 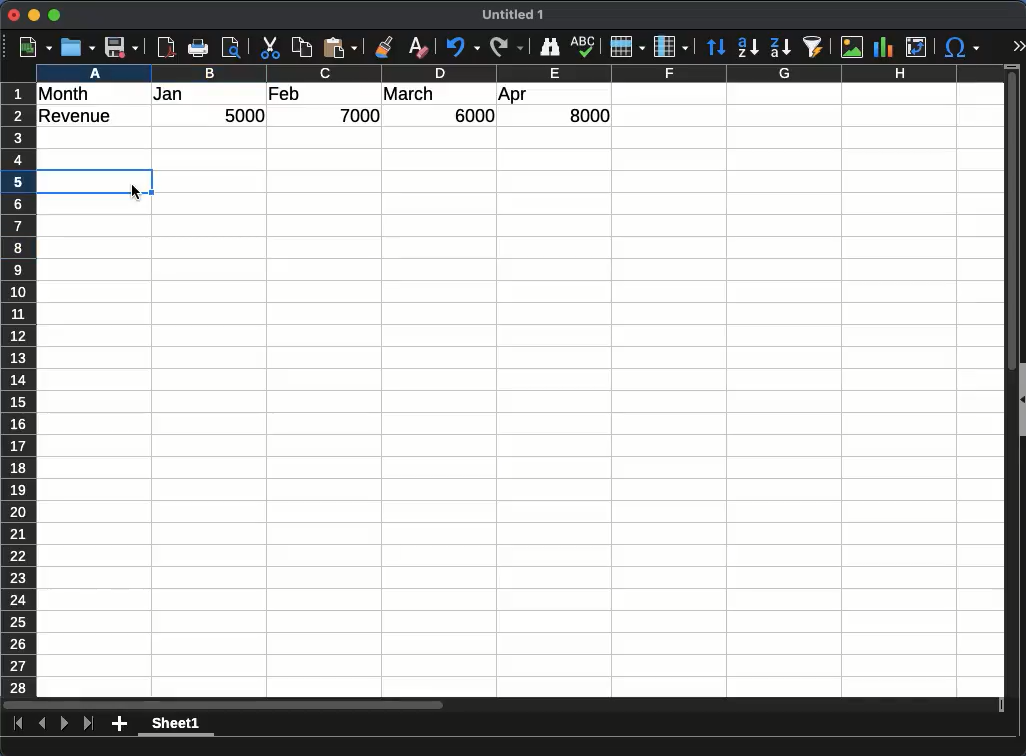 I want to click on Horizontal scroll, so click(x=503, y=705).